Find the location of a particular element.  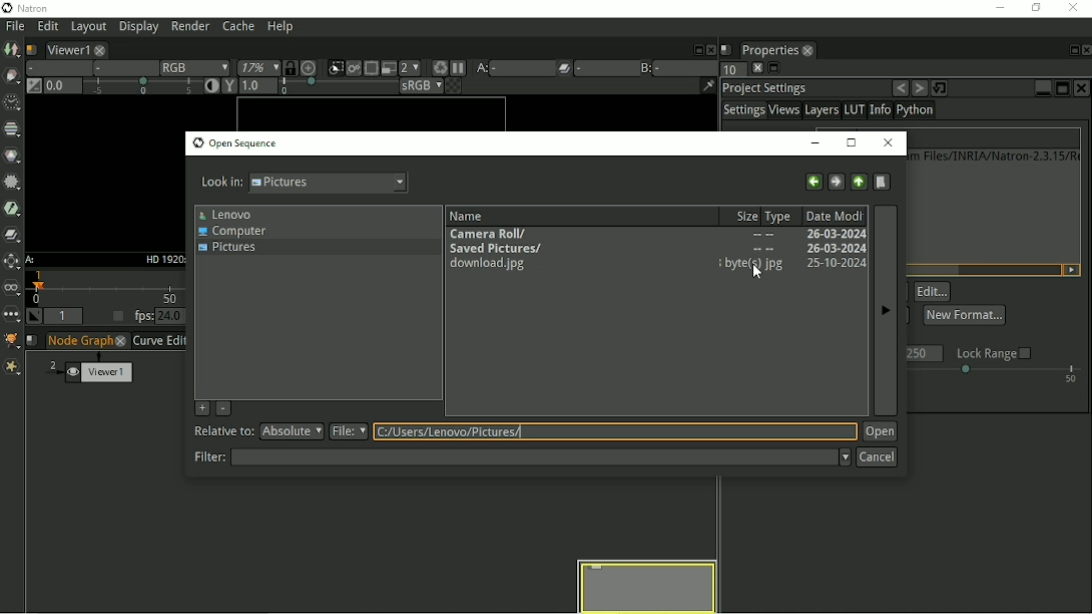

Float pane is located at coordinates (774, 69).